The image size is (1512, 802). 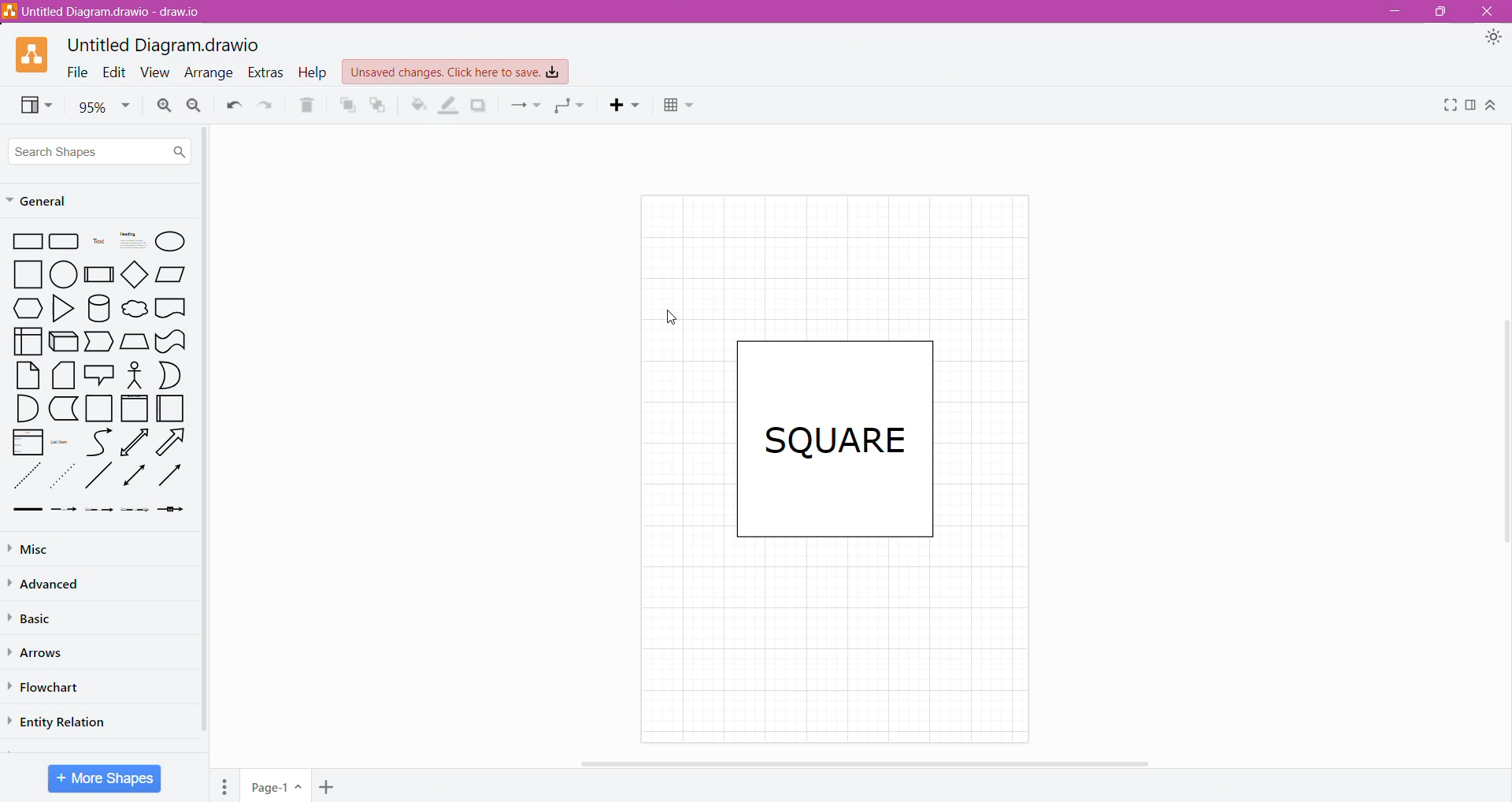 I want to click on Waypoints, so click(x=569, y=108).